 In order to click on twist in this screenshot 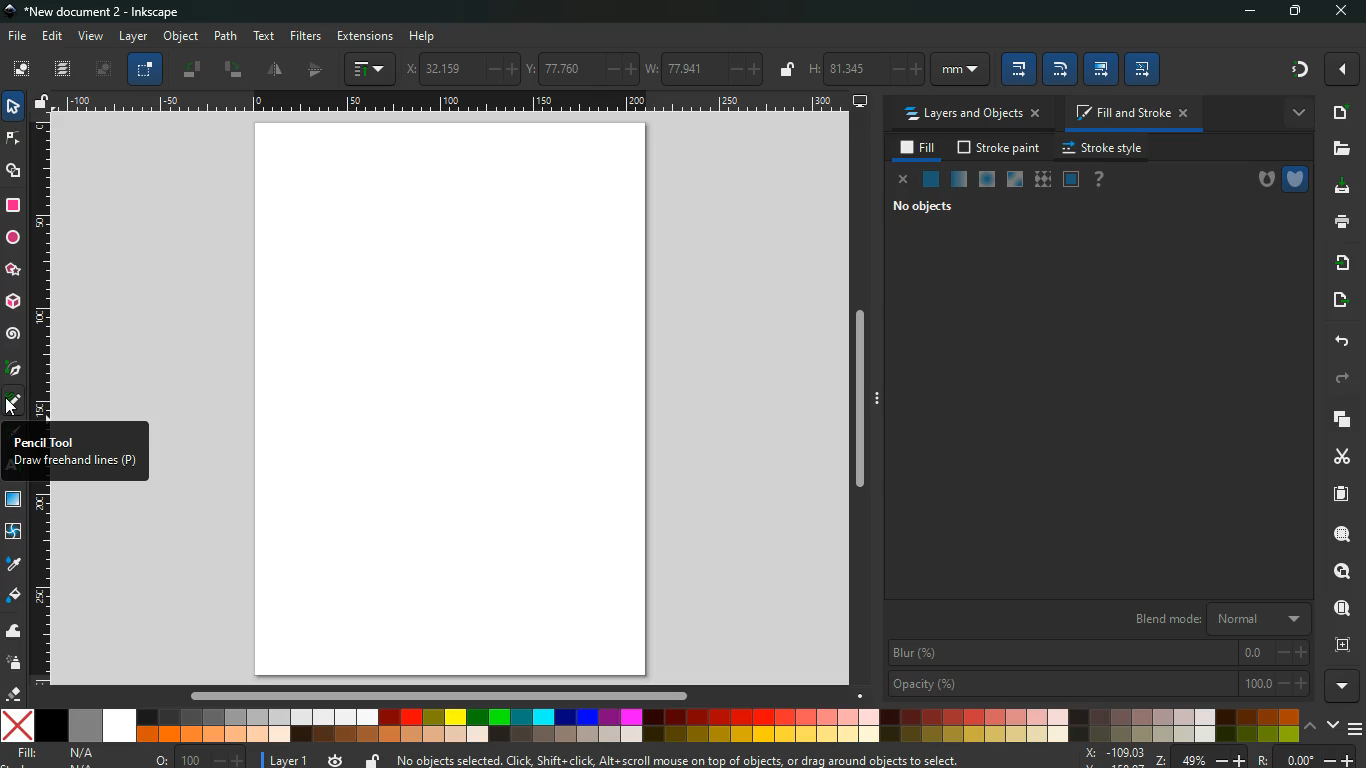, I will do `click(14, 533)`.